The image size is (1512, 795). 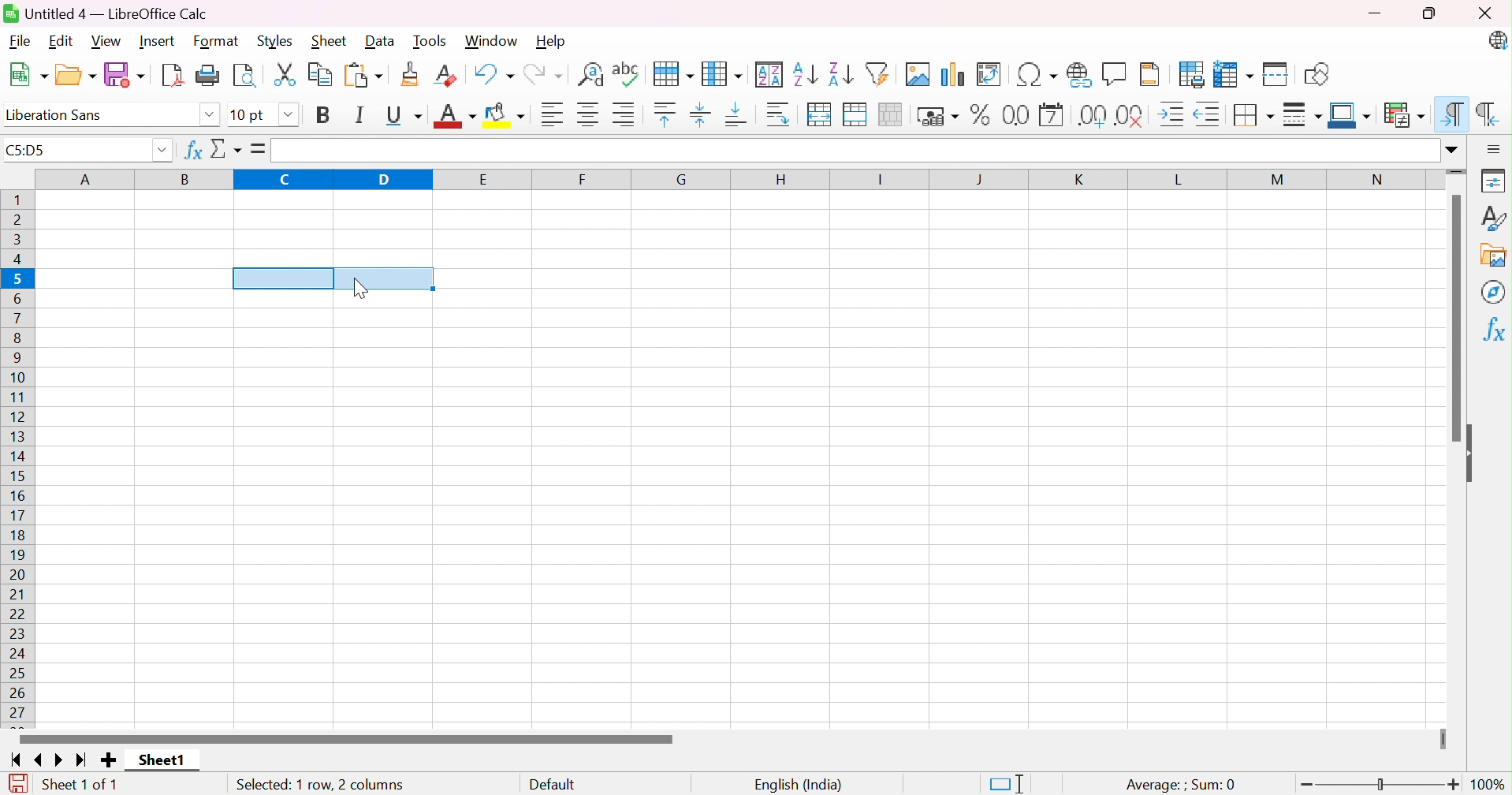 What do you see at coordinates (162, 151) in the screenshot?
I see `Drop Down` at bounding box center [162, 151].